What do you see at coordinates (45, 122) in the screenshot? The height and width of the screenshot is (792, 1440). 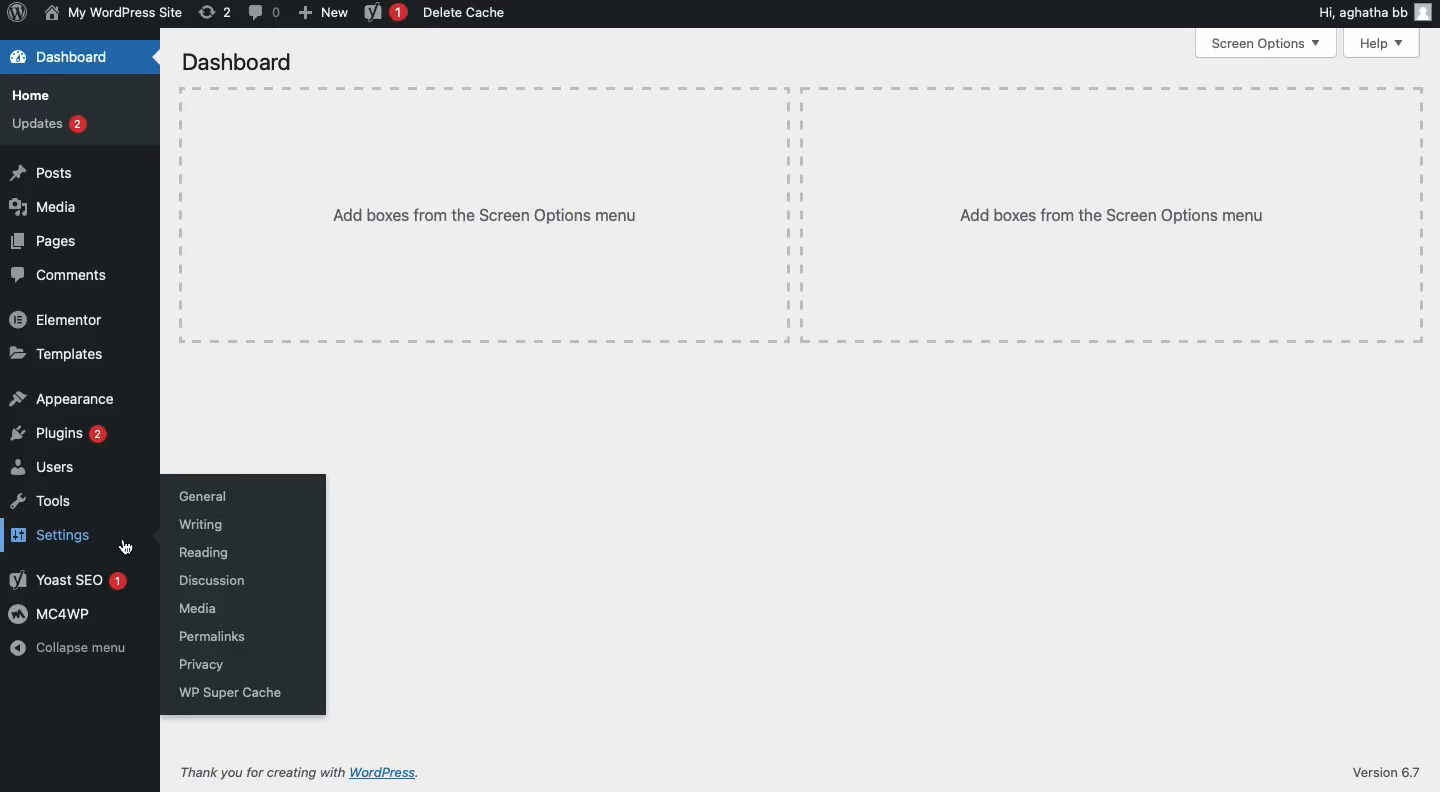 I see `Updates` at bounding box center [45, 122].